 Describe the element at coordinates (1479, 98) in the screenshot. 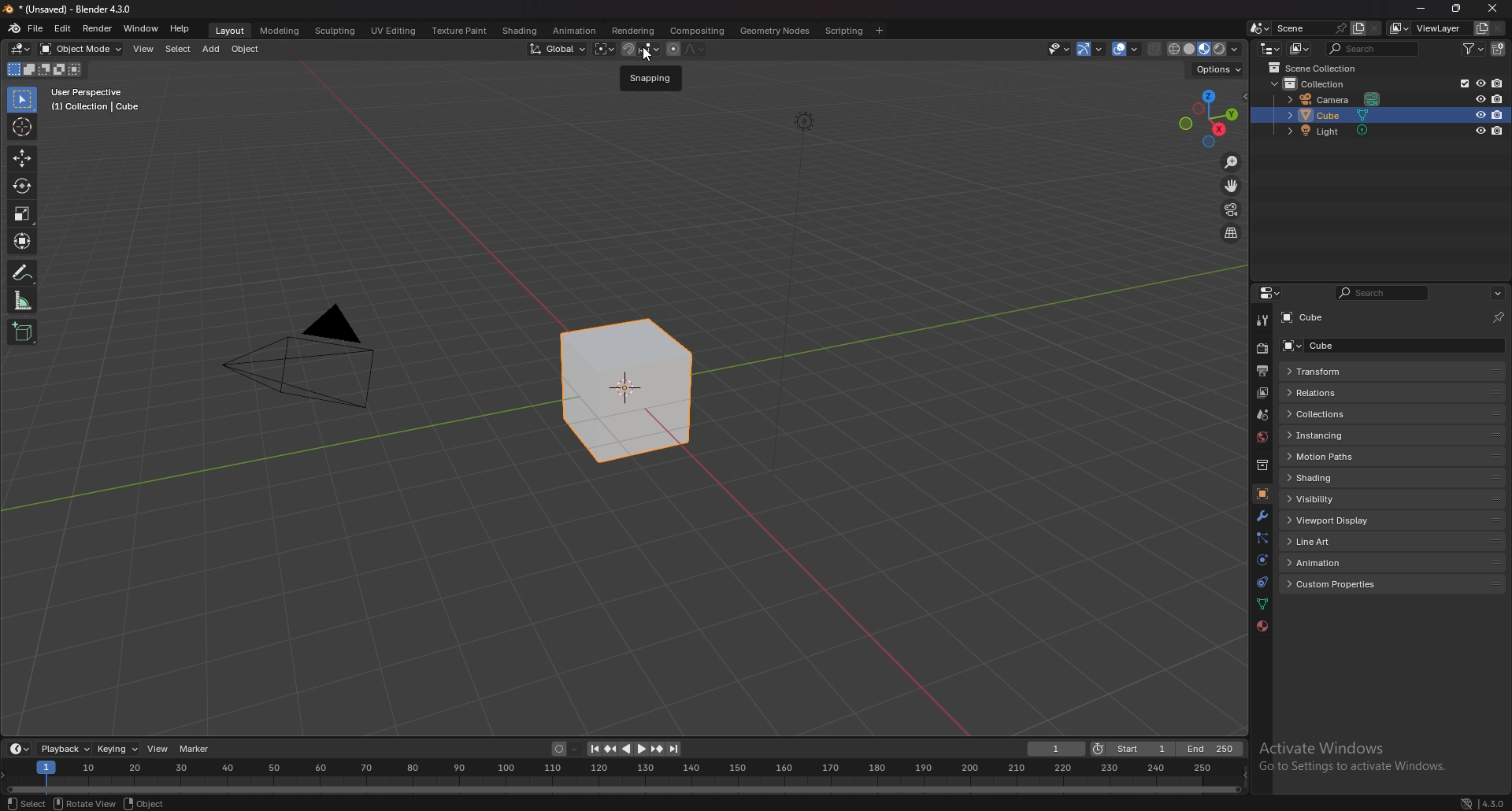

I see `hide in viewport` at that location.